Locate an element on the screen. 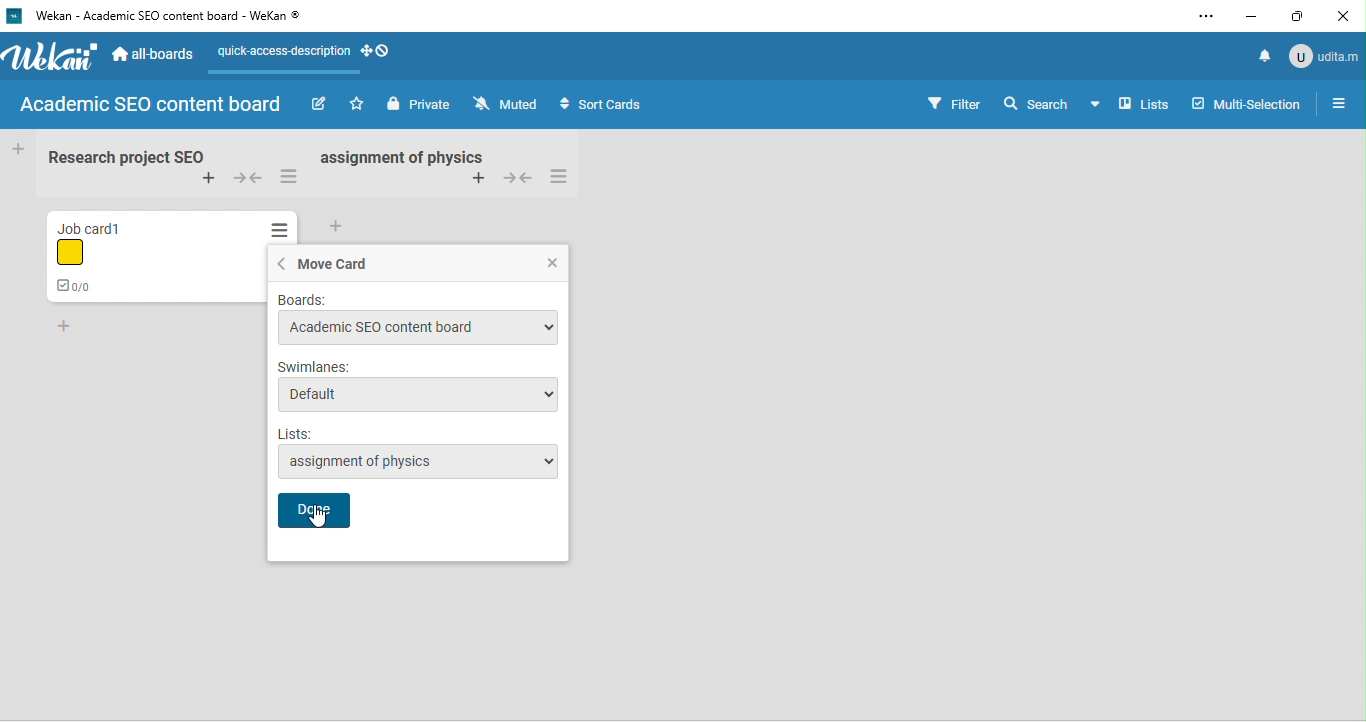  list name is located at coordinates (419, 434).